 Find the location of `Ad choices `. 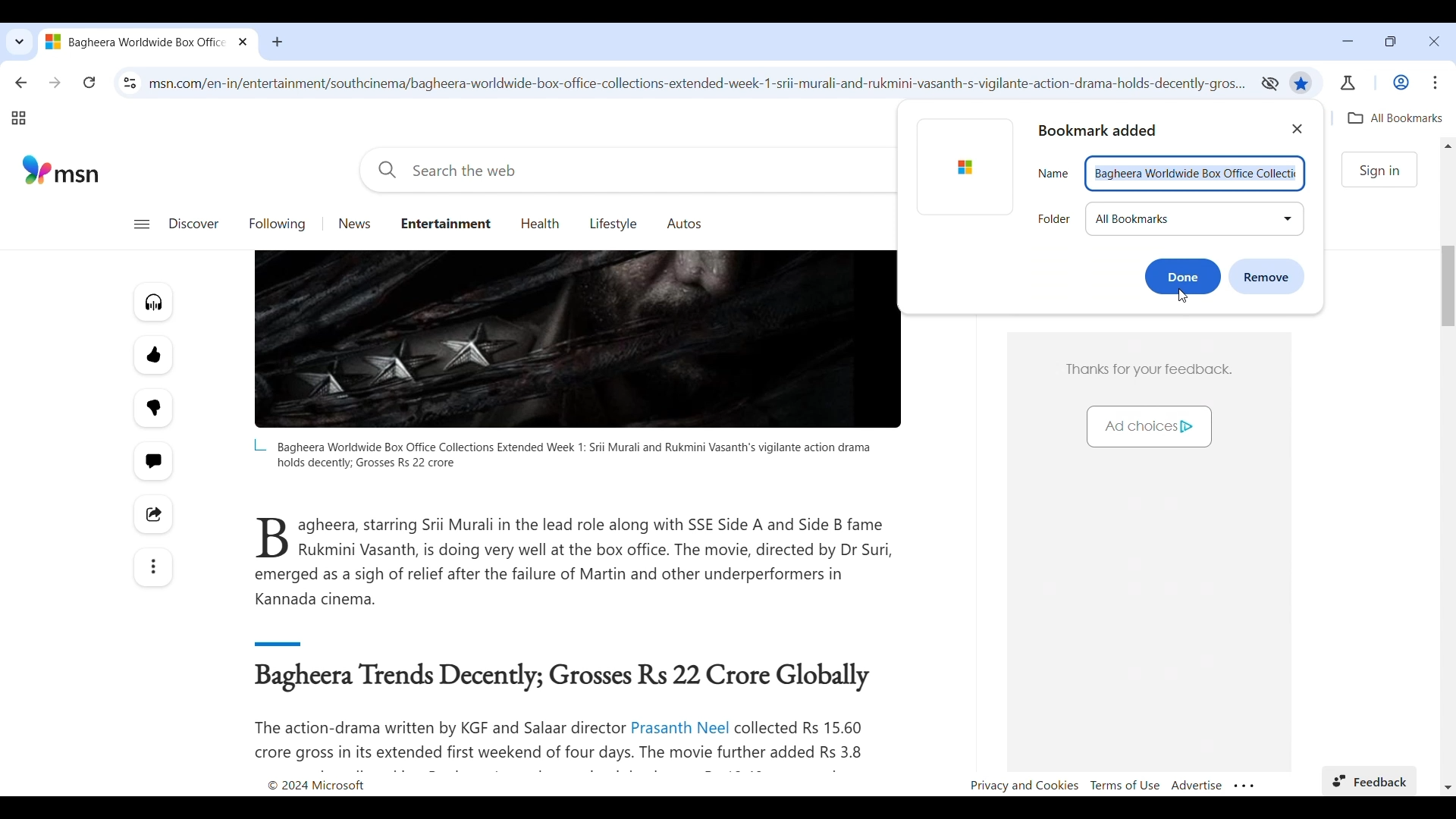

Ad choices  is located at coordinates (1142, 428).